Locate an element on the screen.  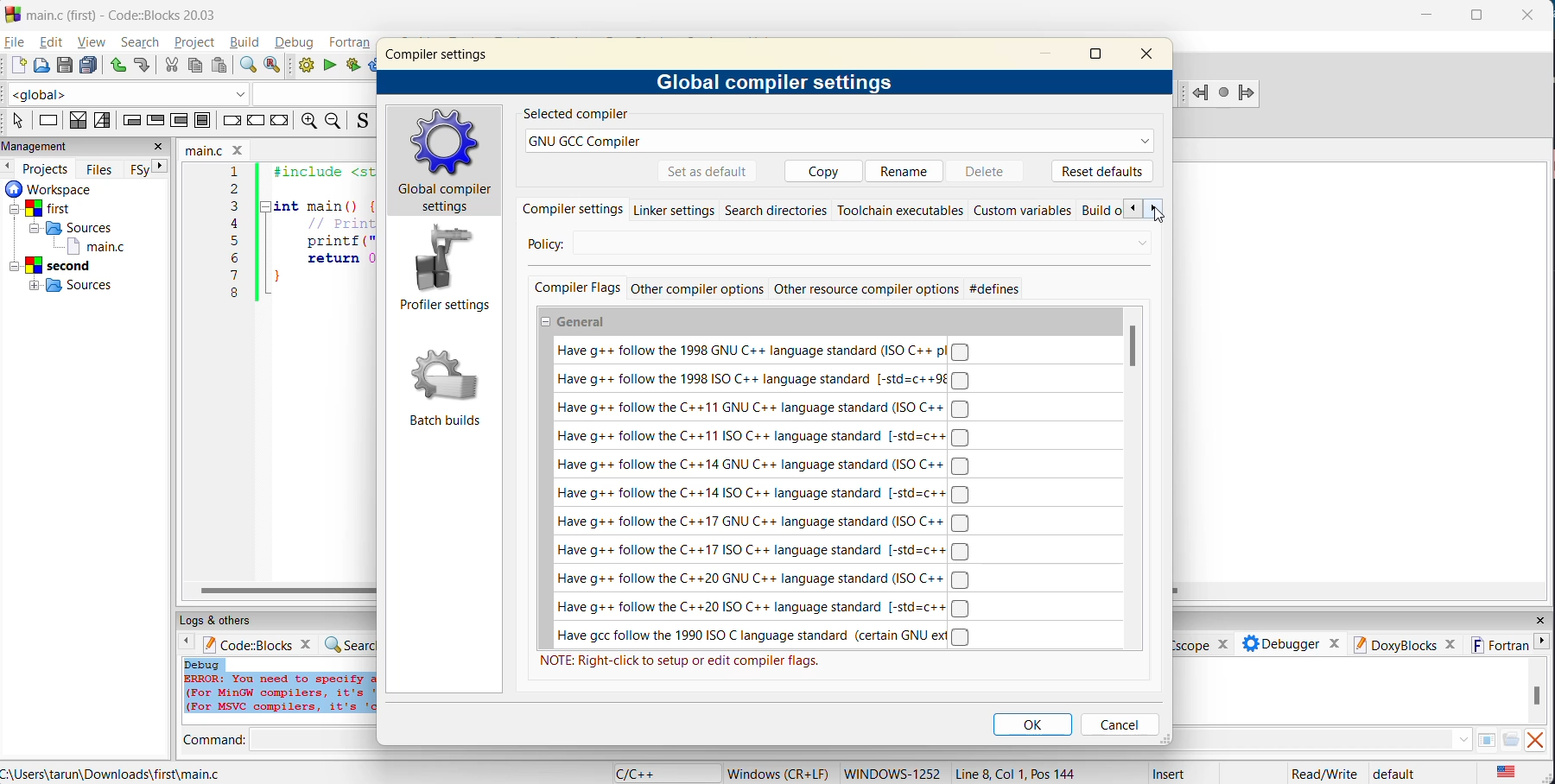
toolchain executables is located at coordinates (901, 212).